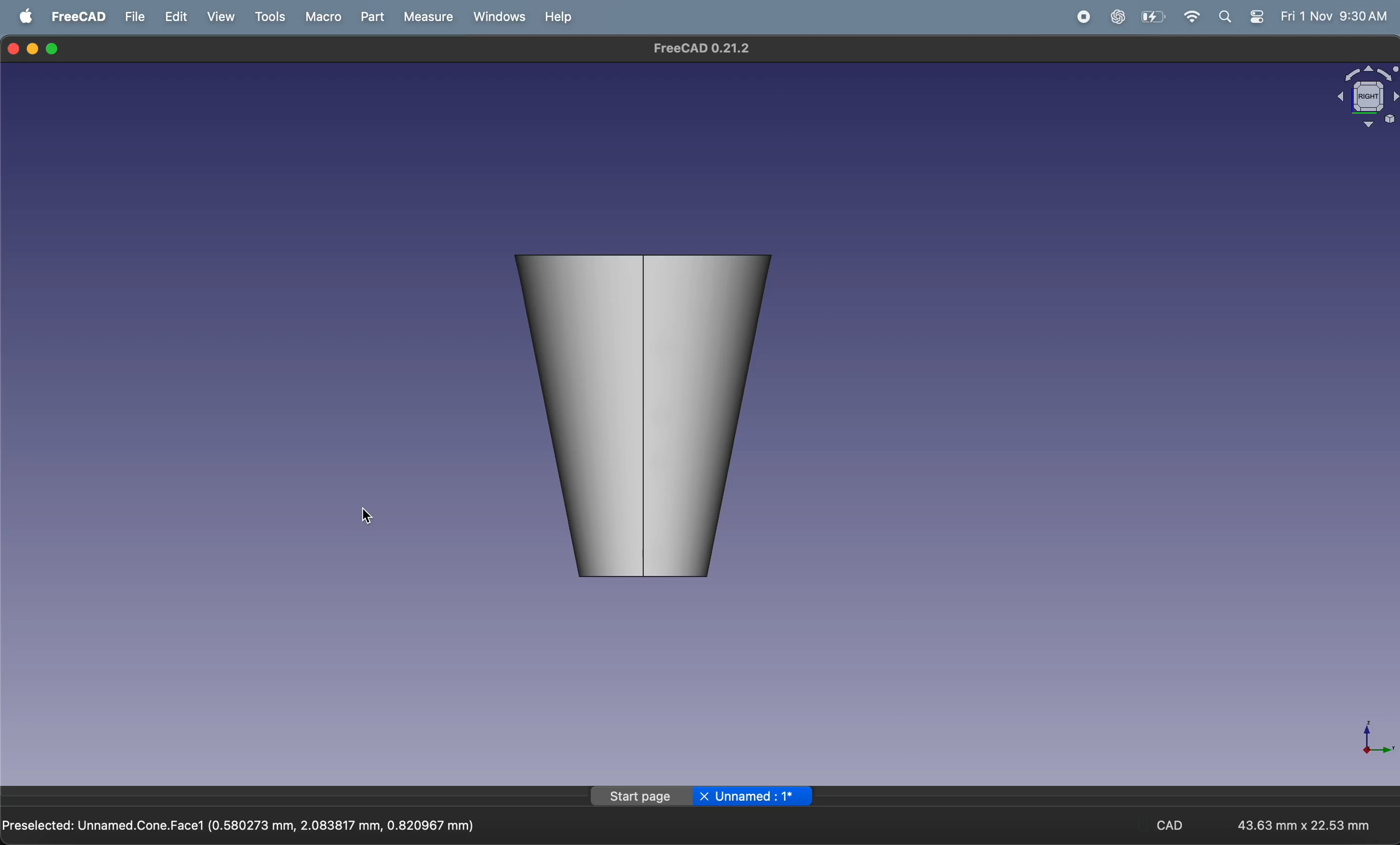 This screenshot has width=1400, height=845. Describe the element at coordinates (1080, 17) in the screenshot. I see `record` at that location.